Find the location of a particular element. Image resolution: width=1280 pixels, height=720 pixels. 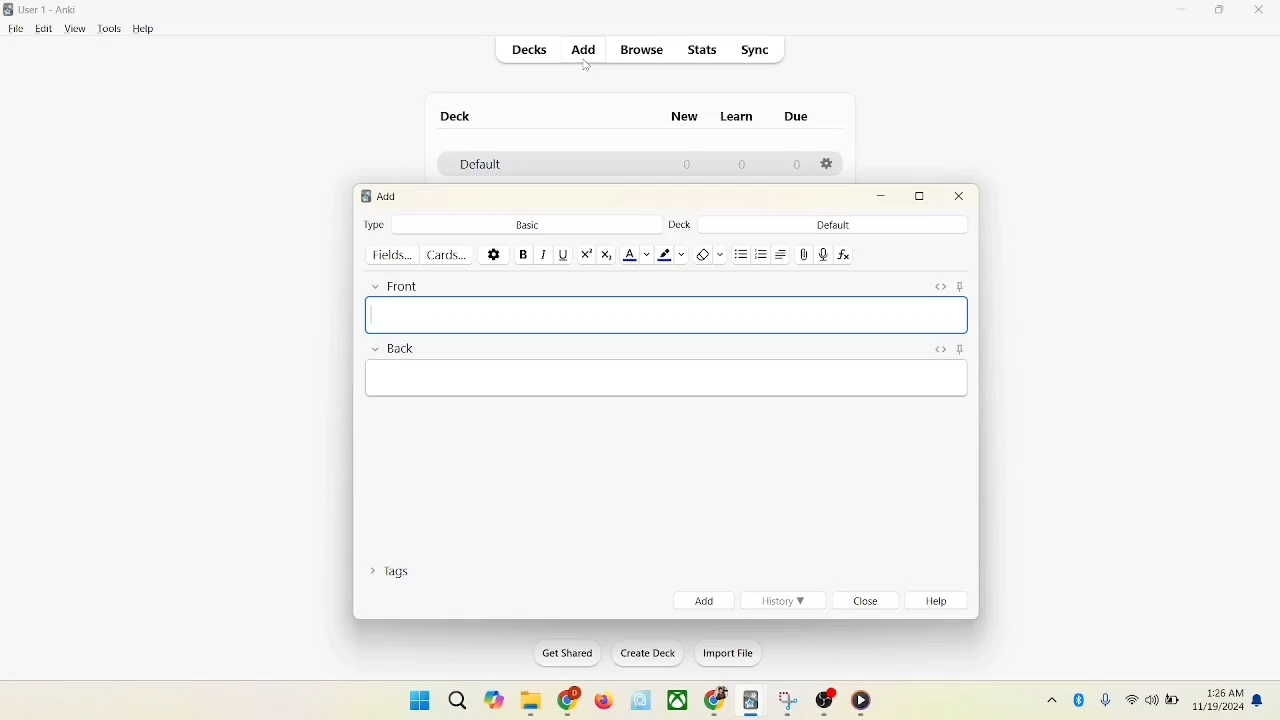

sync is located at coordinates (756, 50).